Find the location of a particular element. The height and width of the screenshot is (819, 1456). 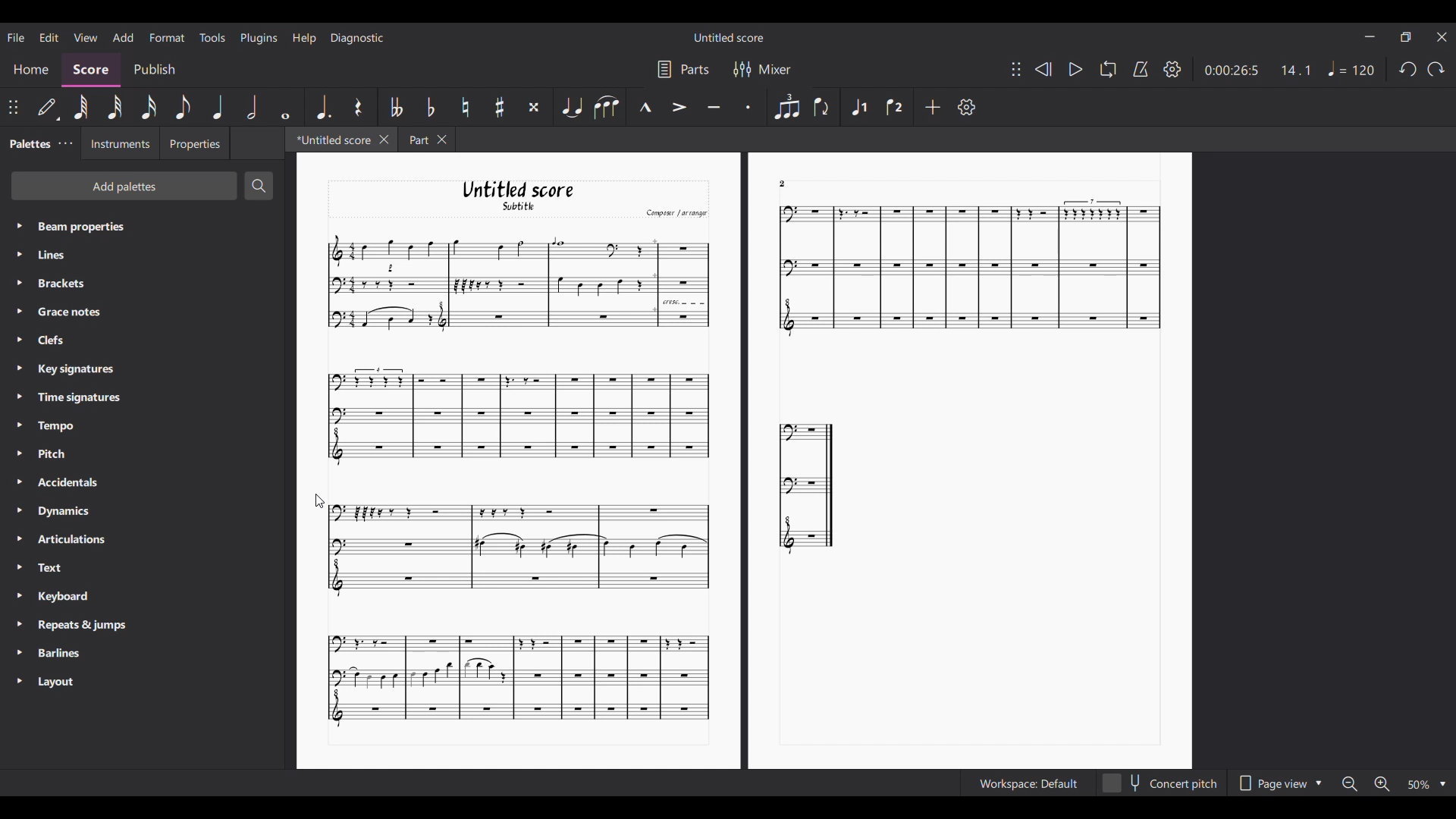

Page view  is located at coordinates (1279, 783).